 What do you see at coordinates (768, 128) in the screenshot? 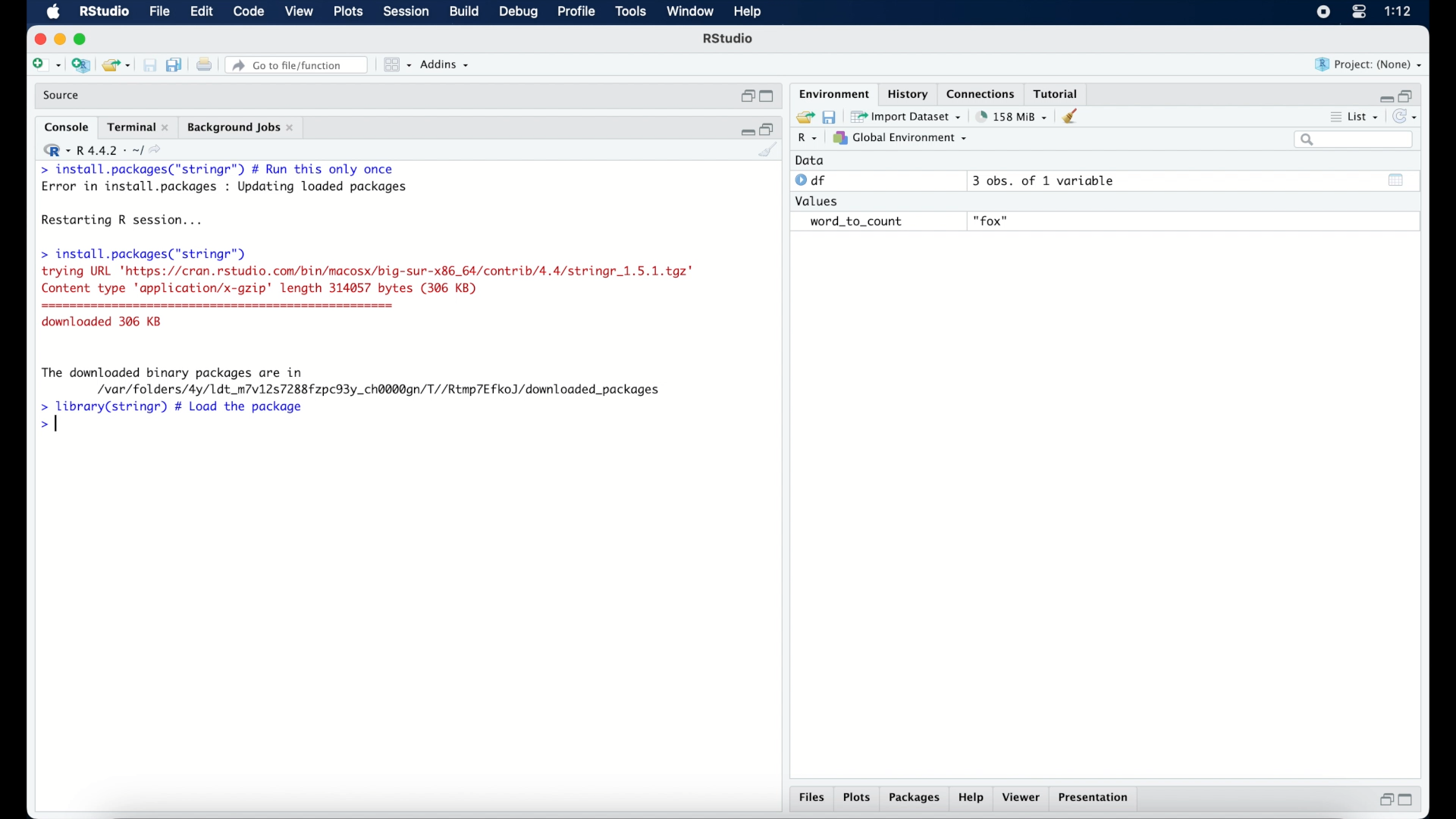
I see `restore down` at bounding box center [768, 128].